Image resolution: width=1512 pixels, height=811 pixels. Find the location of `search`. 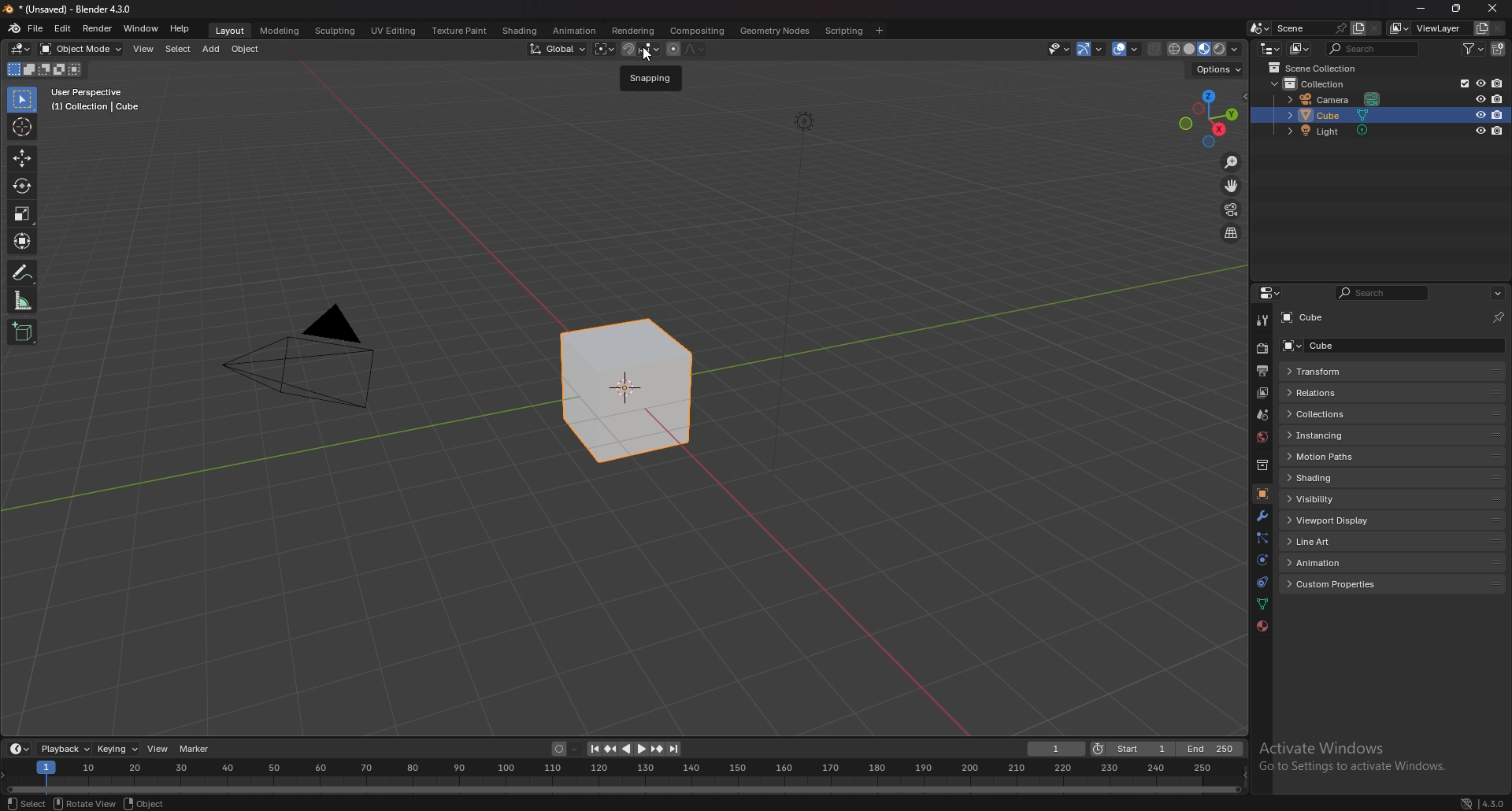

search is located at coordinates (1384, 293).